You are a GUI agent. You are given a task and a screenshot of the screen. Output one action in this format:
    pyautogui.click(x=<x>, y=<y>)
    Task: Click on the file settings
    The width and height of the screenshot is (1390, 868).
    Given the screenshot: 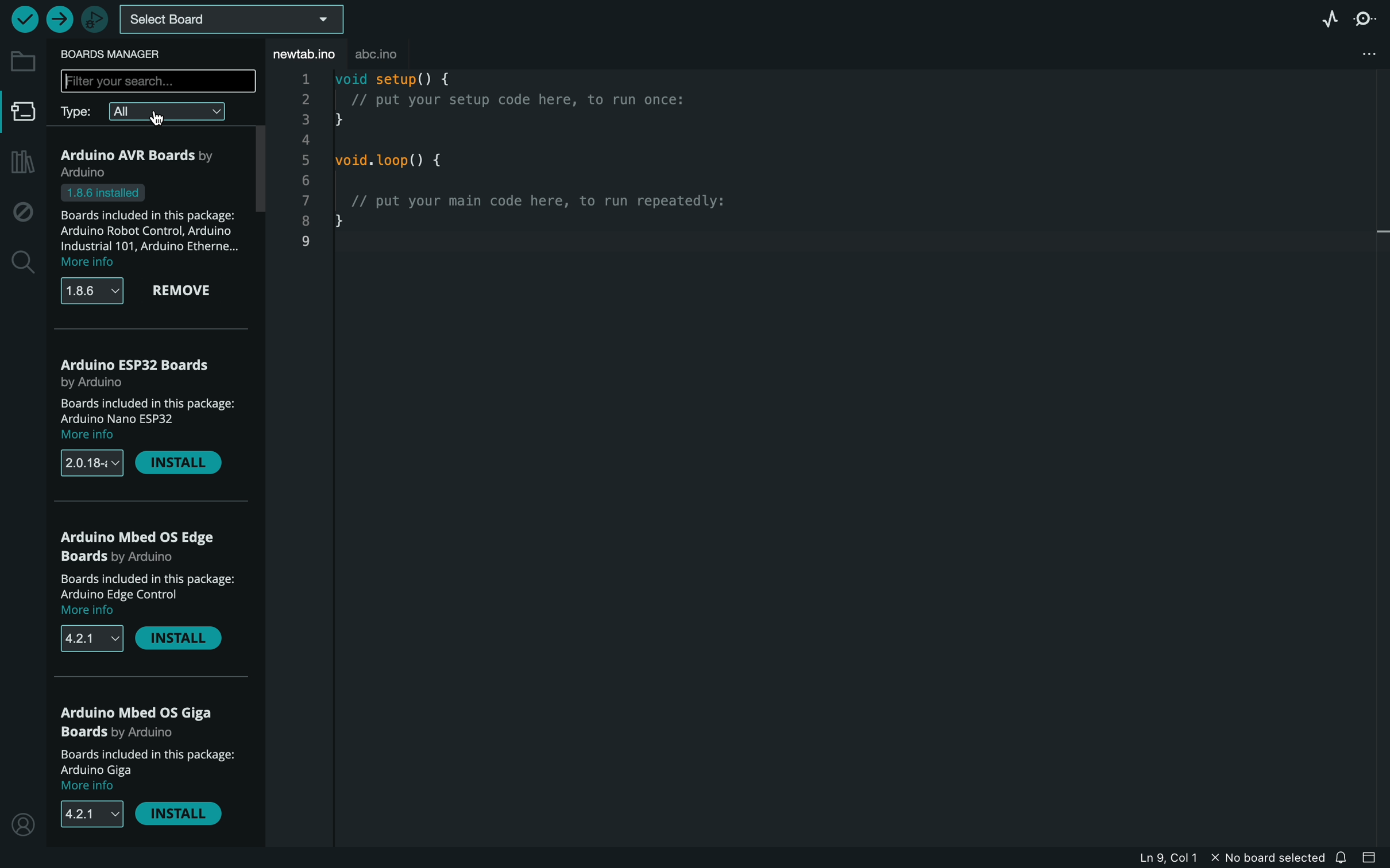 What is the action you would take?
    pyautogui.click(x=1352, y=55)
    